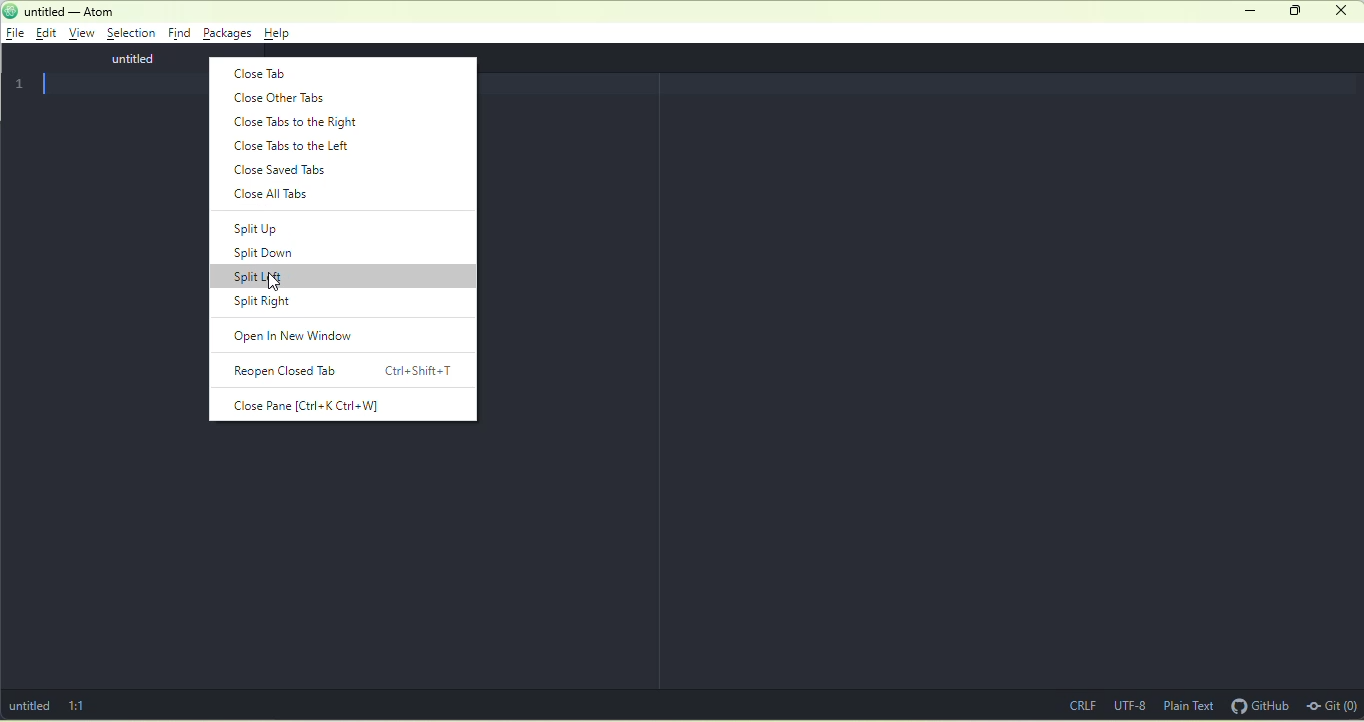 The height and width of the screenshot is (722, 1364). What do you see at coordinates (276, 284) in the screenshot?
I see `cursor movement` at bounding box center [276, 284].